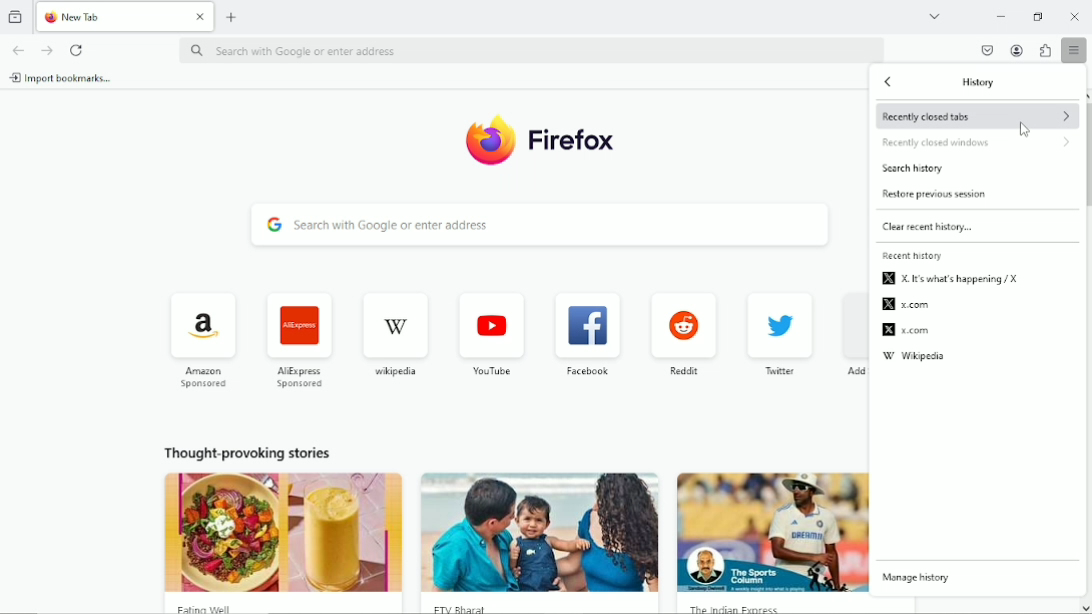 This screenshot has width=1092, height=614. What do you see at coordinates (935, 14) in the screenshot?
I see `list all tabs` at bounding box center [935, 14].